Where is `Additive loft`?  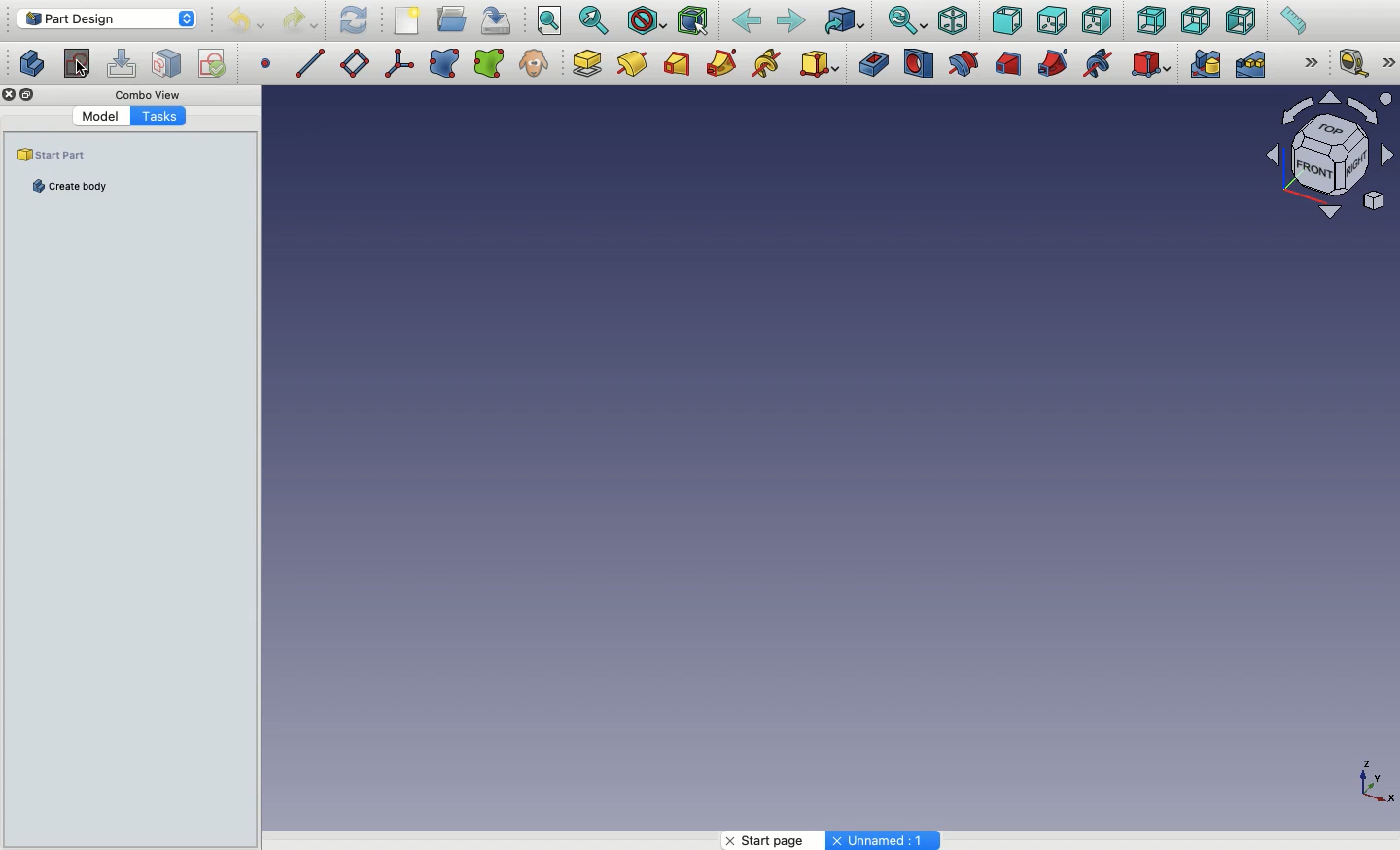
Additive loft is located at coordinates (677, 65).